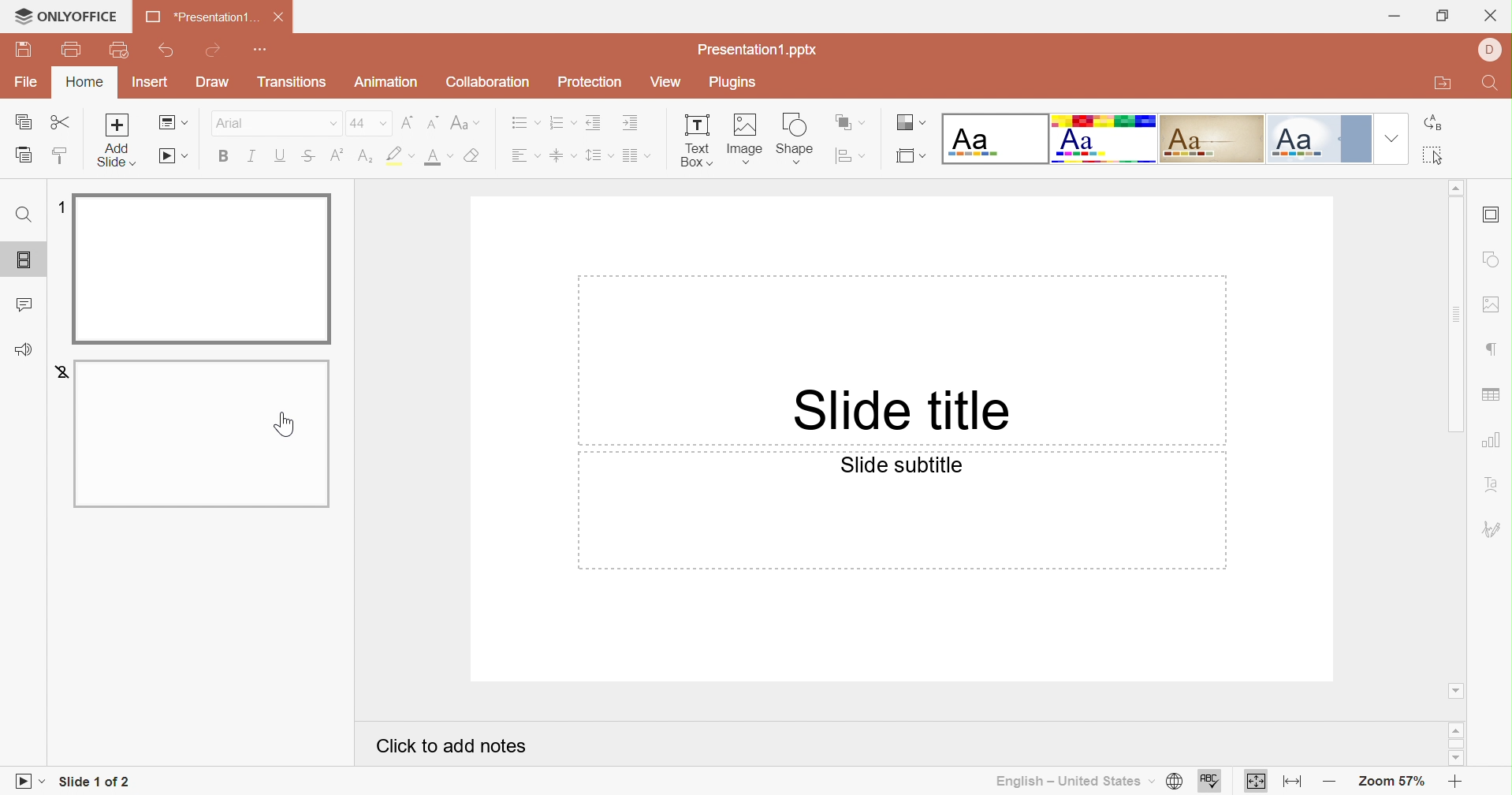 This screenshot has height=795, width=1512. What do you see at coordinates (1492, 13) in the screenshot?
I see `Close` at bounding box center [1492, 13].